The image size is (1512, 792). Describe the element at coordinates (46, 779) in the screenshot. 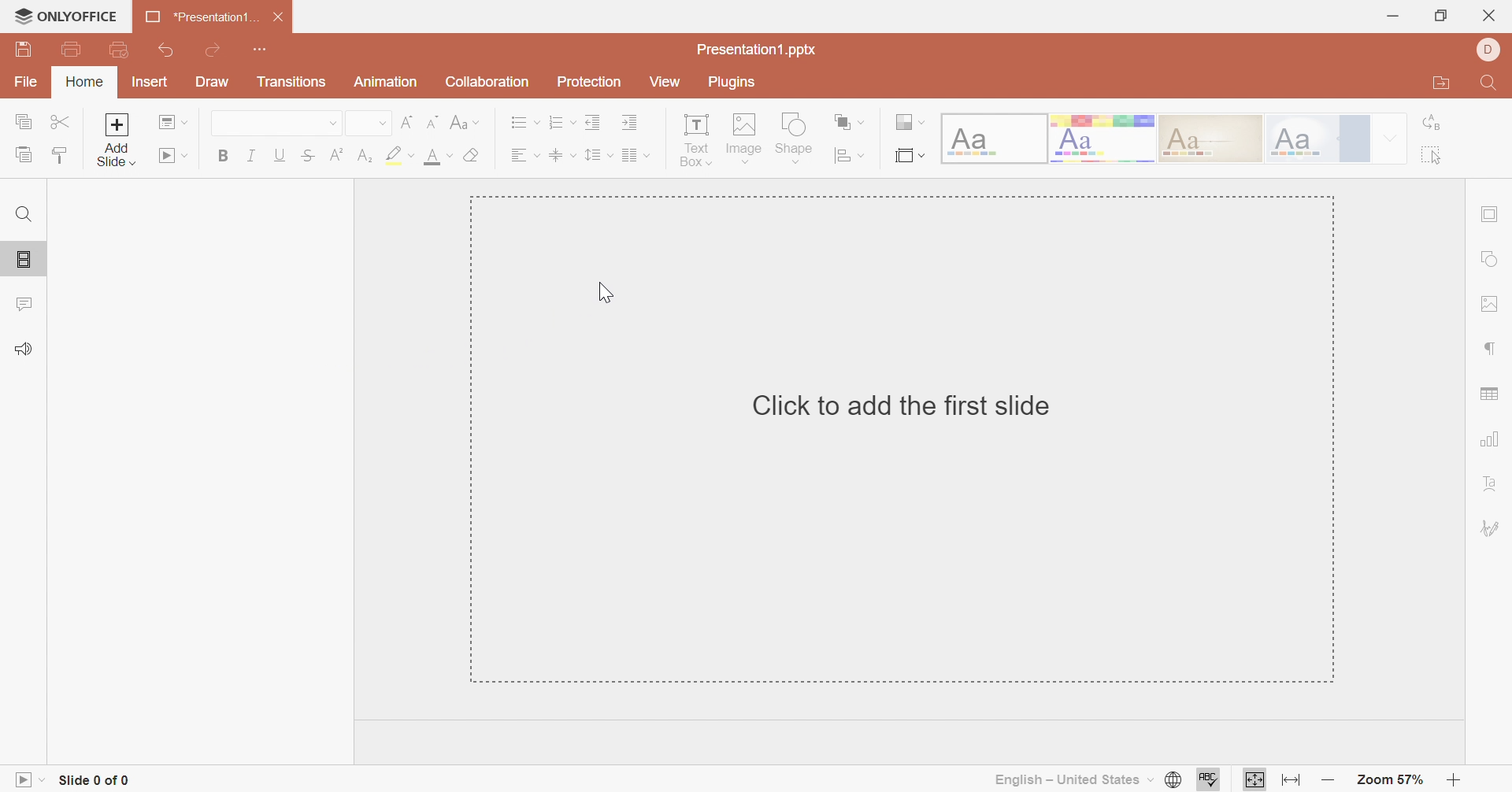

I see `Drop Down` at that location.